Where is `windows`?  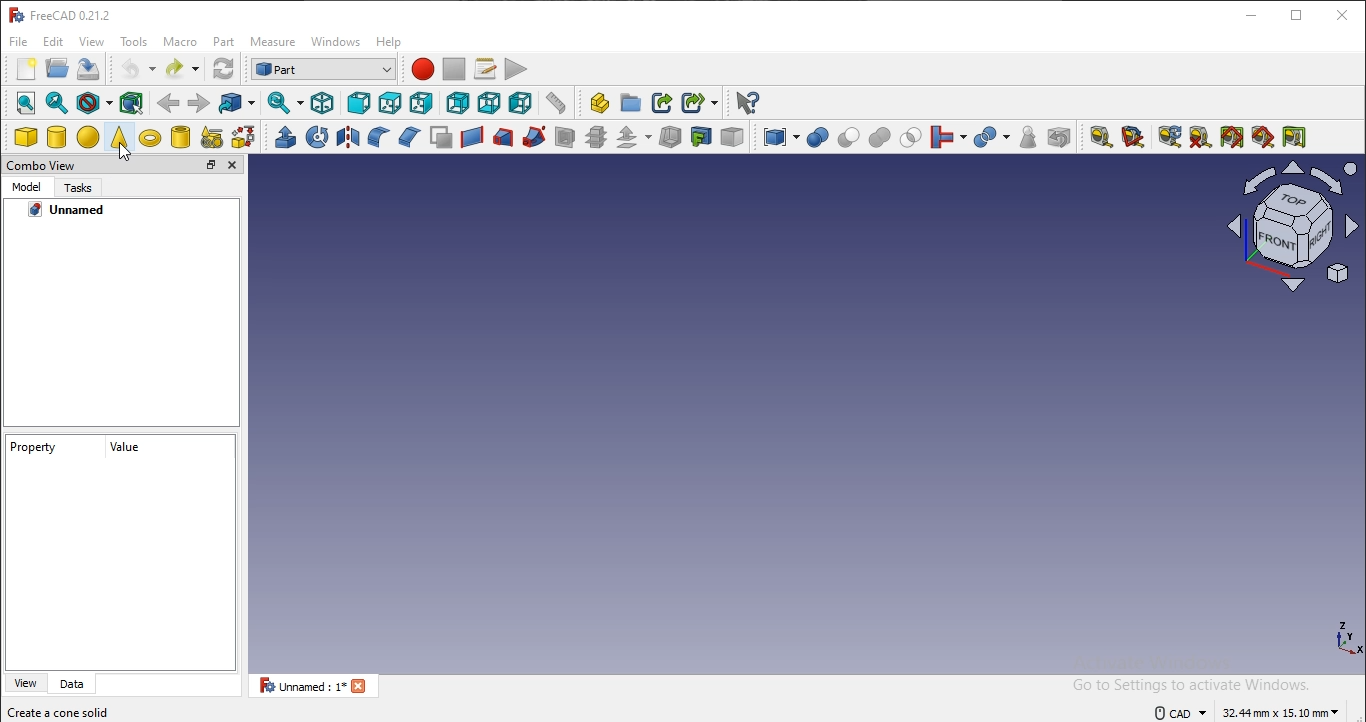 windows is located at coordinates (336, 42).